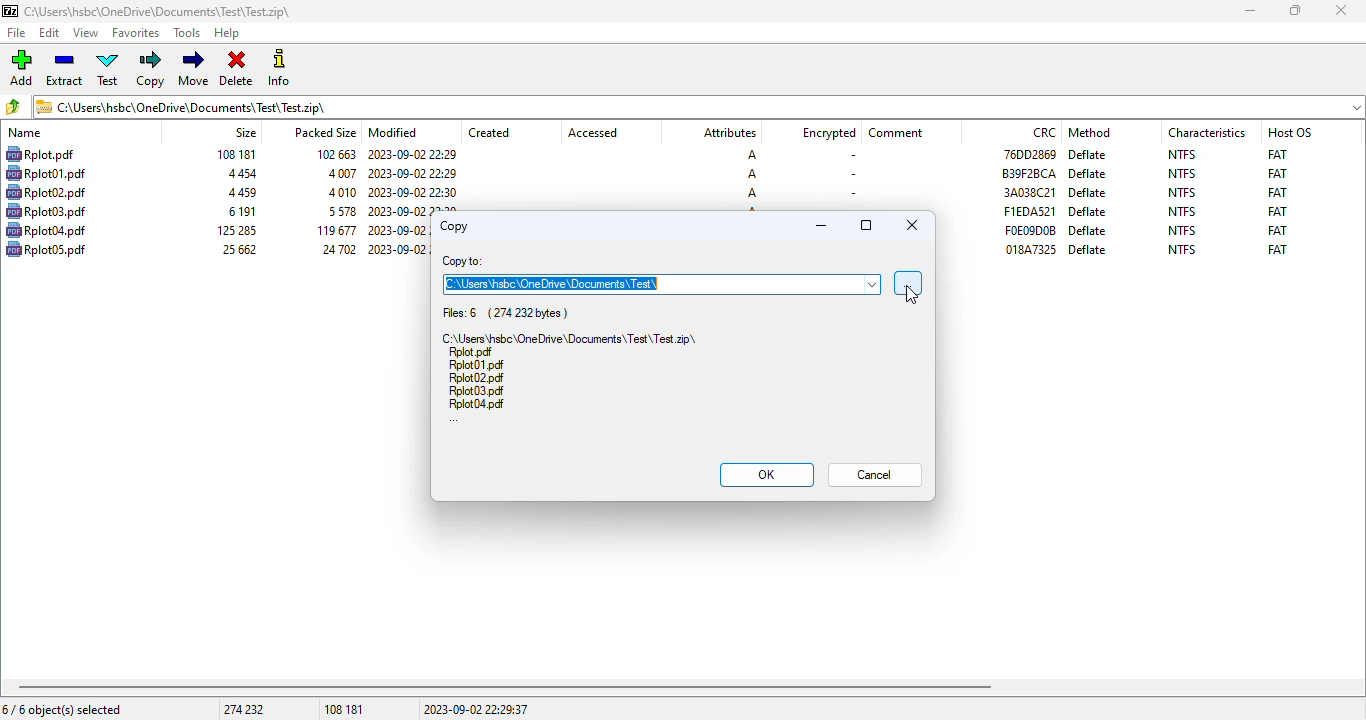 The width and height of the screenshot is (1366, 720). I want to click on logo, so click(9, 11).